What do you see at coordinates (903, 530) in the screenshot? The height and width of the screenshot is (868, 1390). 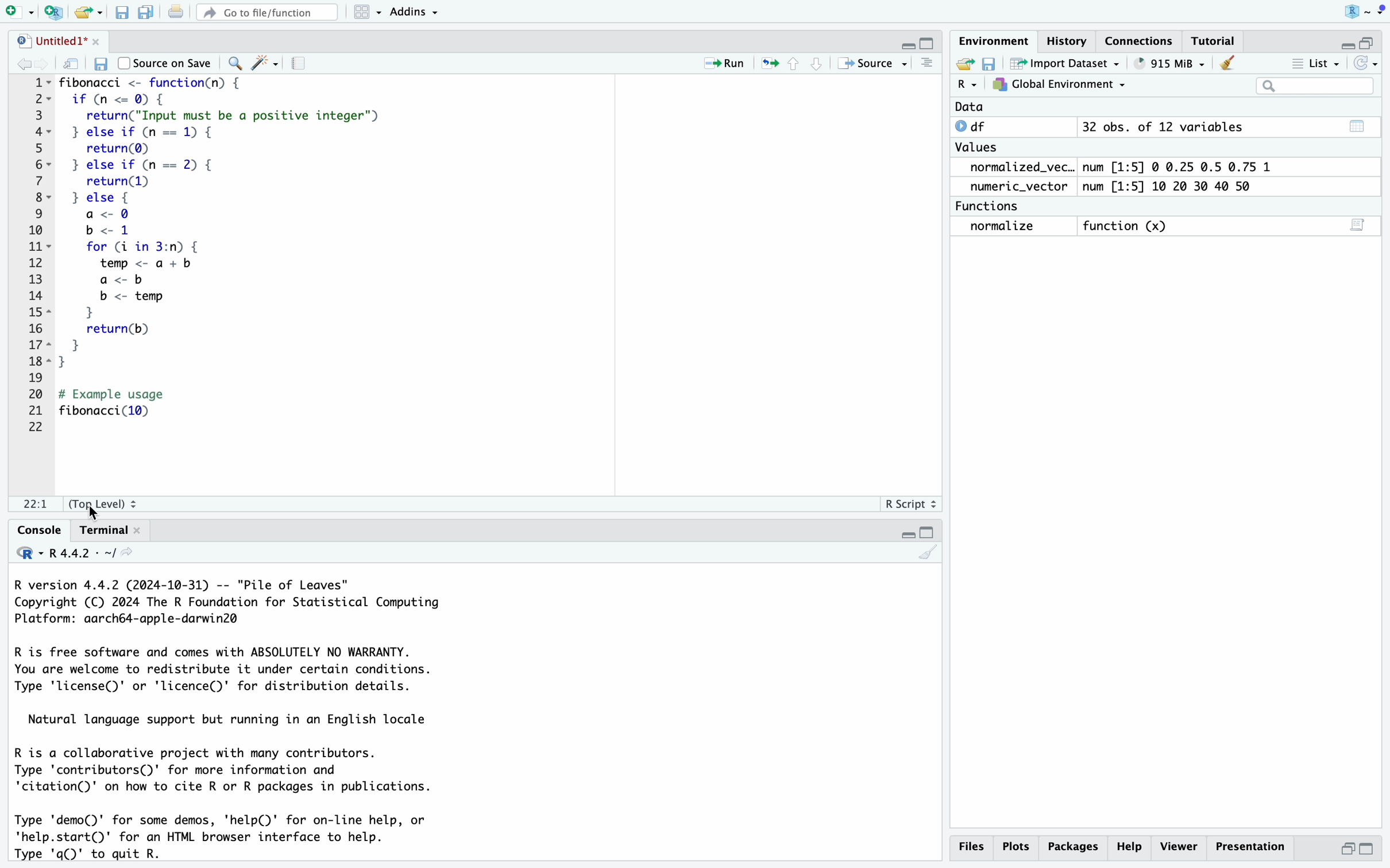 I see `minimize` at bounding box center [903, 530].